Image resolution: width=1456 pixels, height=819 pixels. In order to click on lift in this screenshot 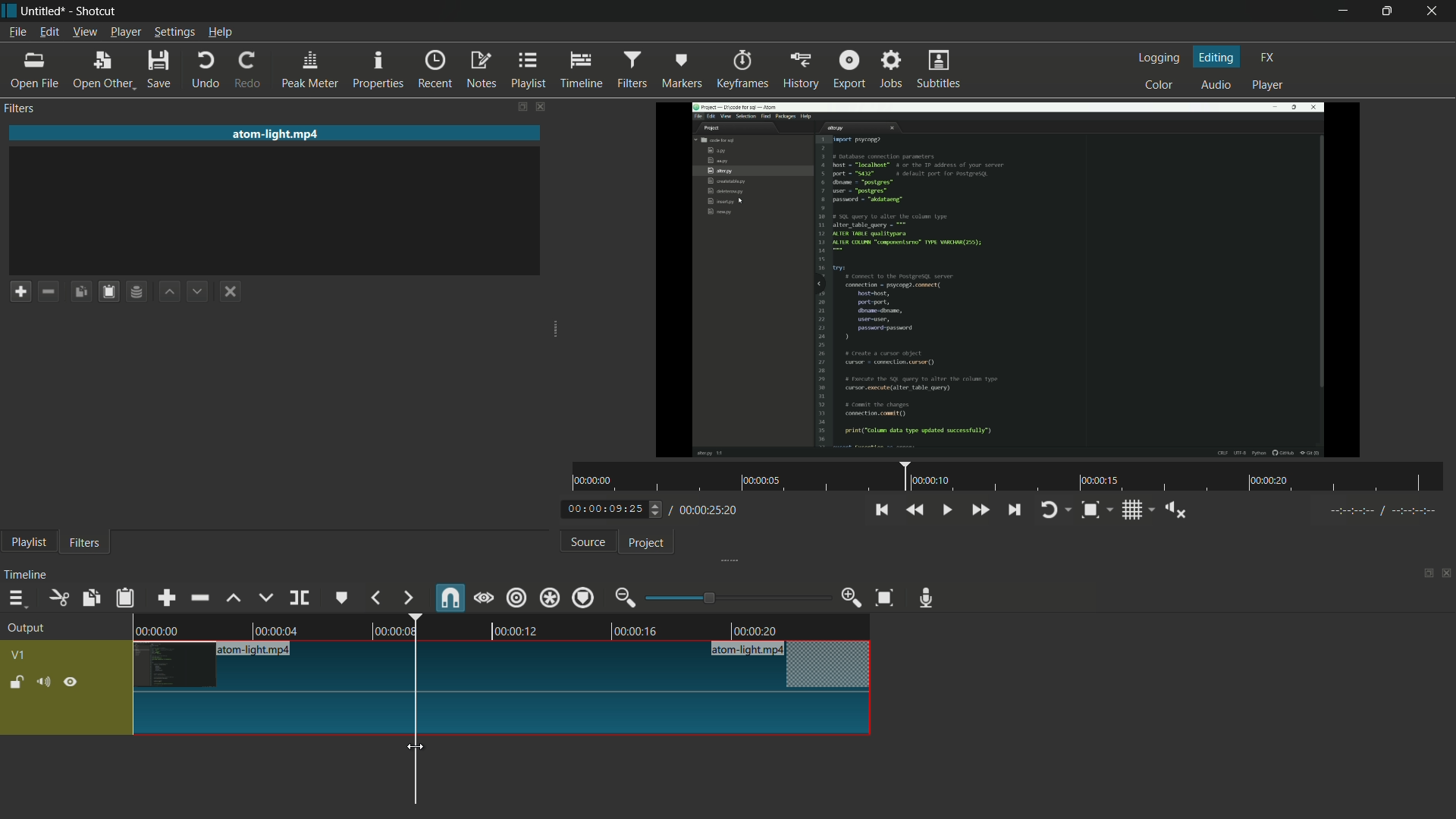, I will do `click(234, 598)`.